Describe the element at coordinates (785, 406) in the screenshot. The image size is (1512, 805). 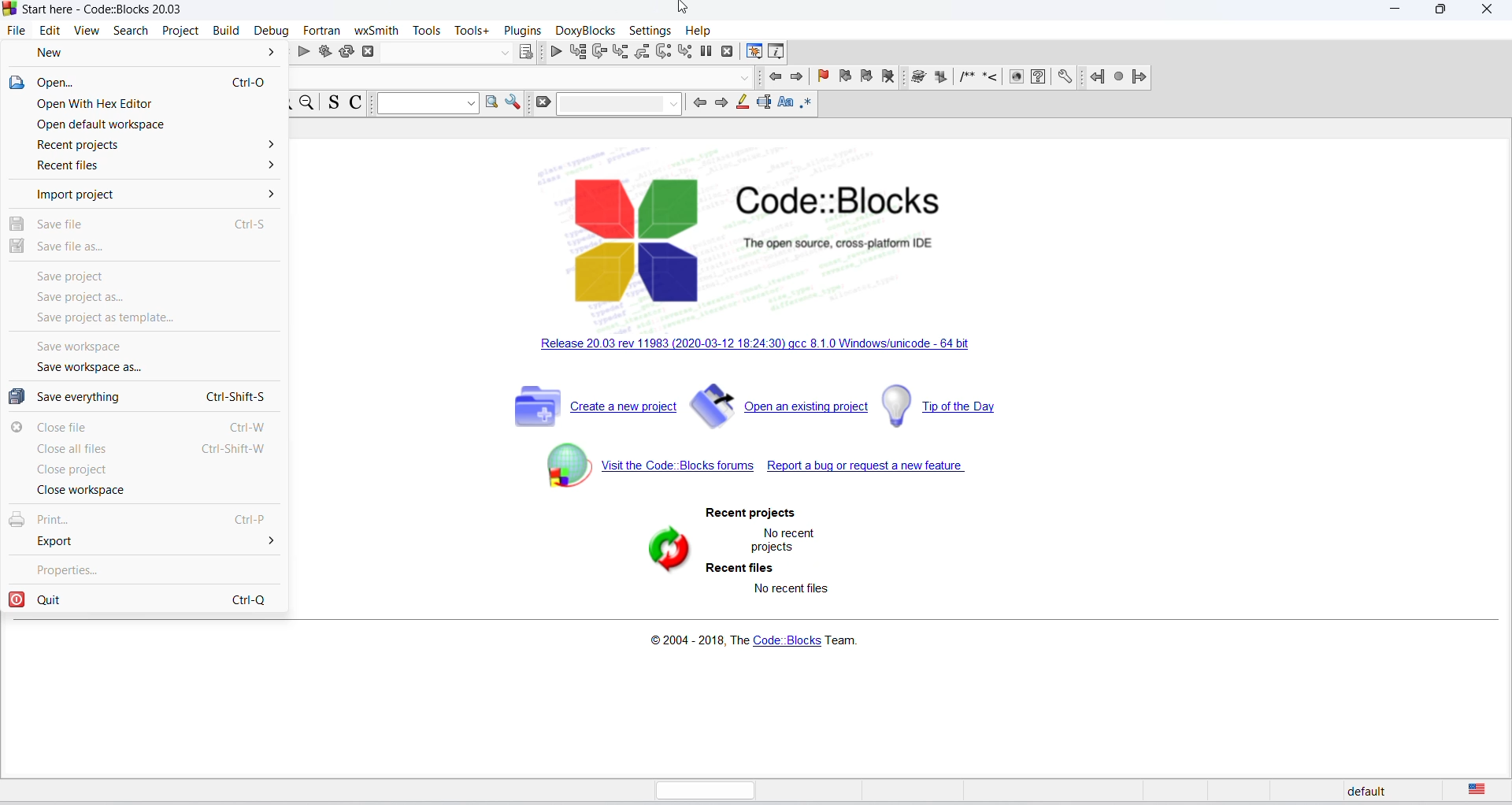
I see `open existing project` at that location.